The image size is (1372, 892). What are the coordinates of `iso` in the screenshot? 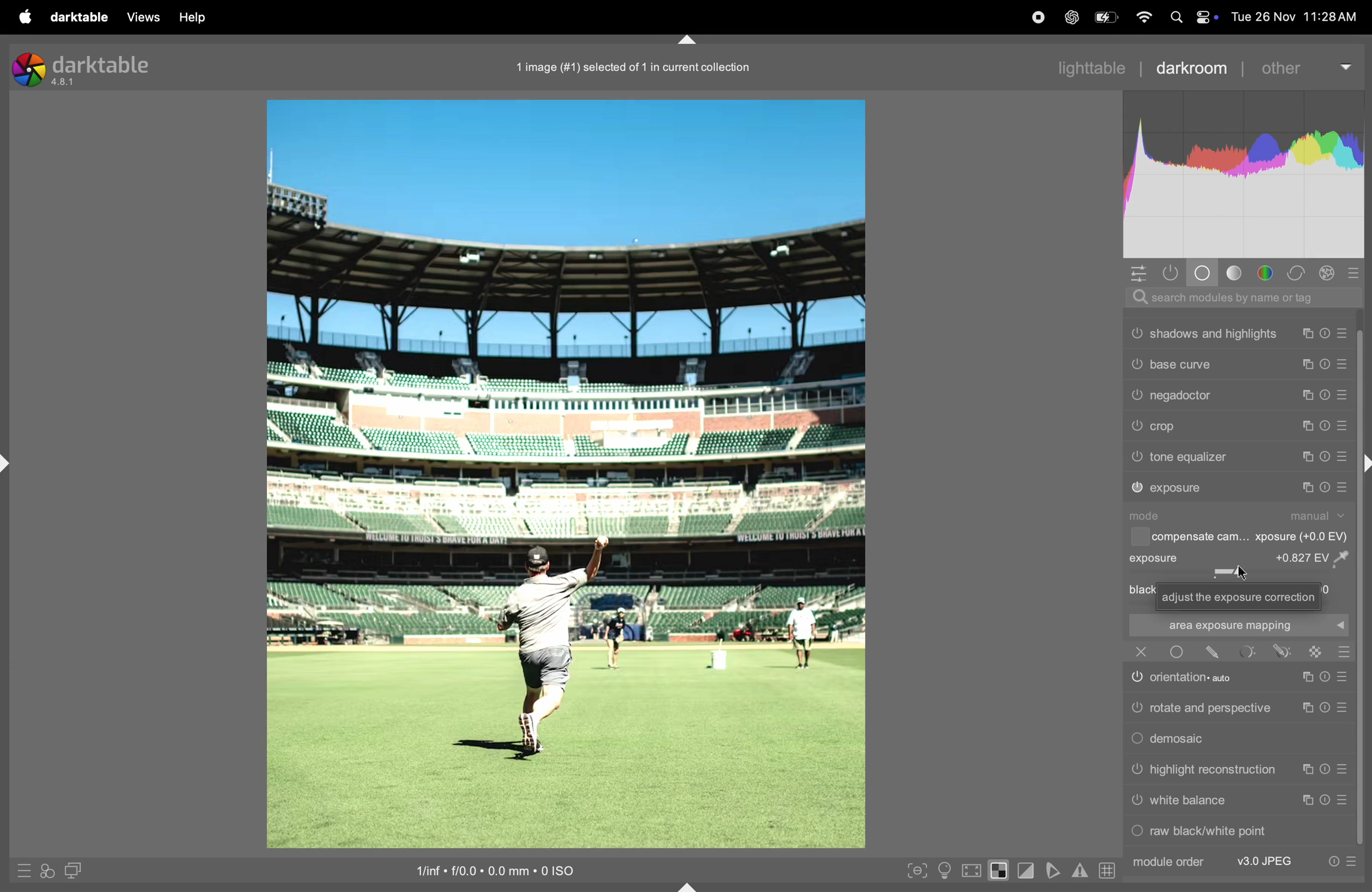 It's located at (489, 869).